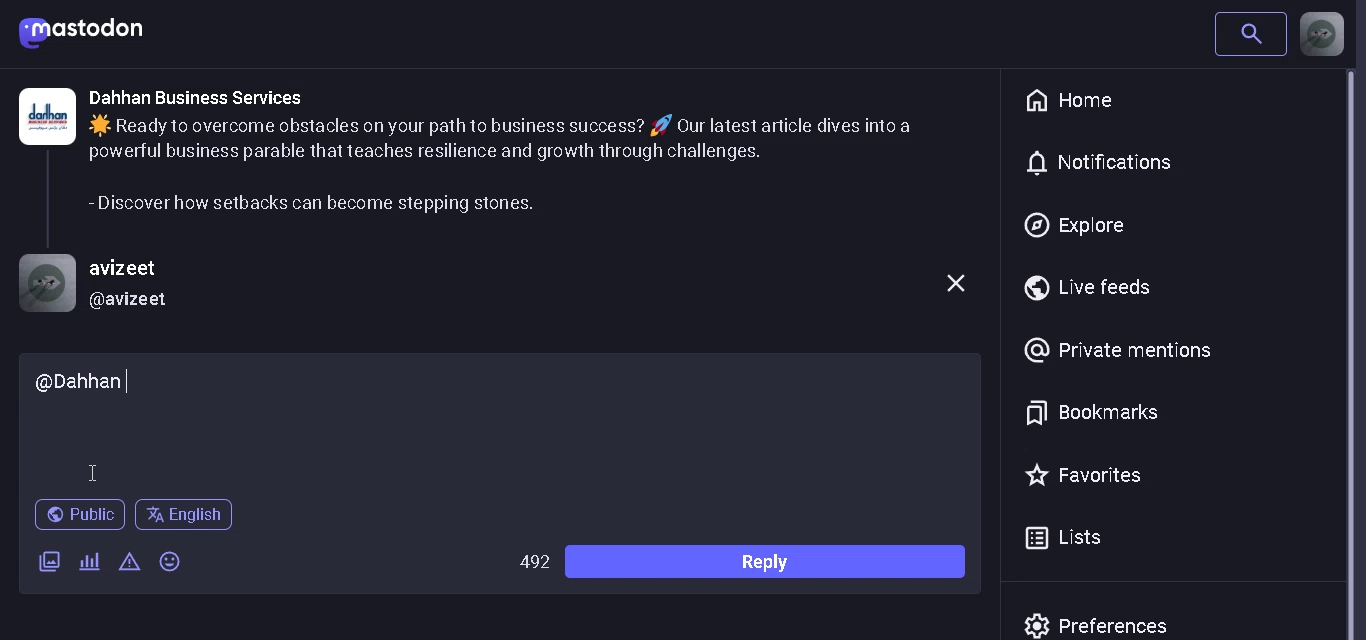  What do you see at coordinates (79, 515) in the screenshot?
I see `public post` at bounding box center [79, 515].